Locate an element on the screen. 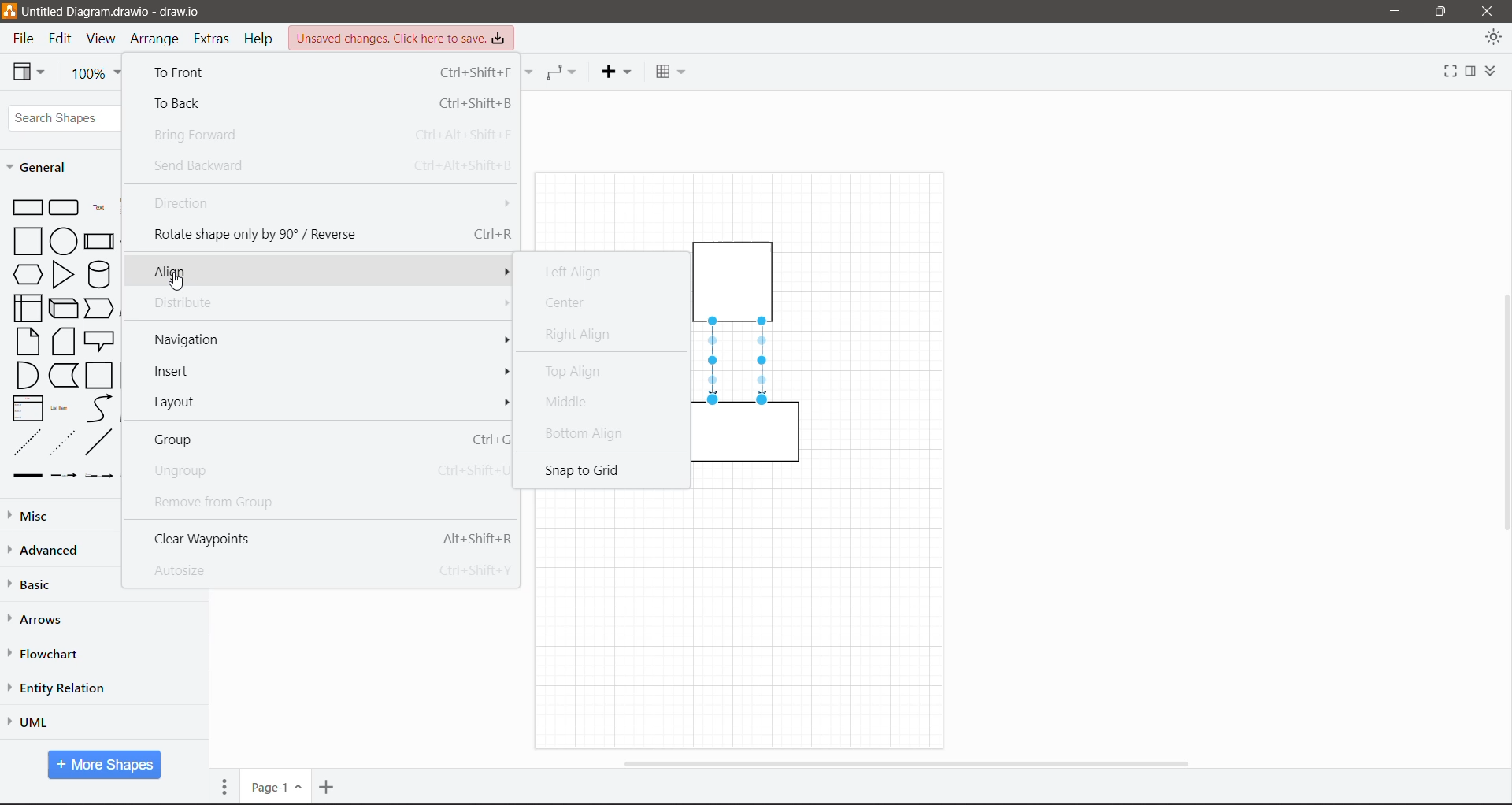 This screenshot has height=805, width=1512. Hexagon is located at coordinates (27, 273).